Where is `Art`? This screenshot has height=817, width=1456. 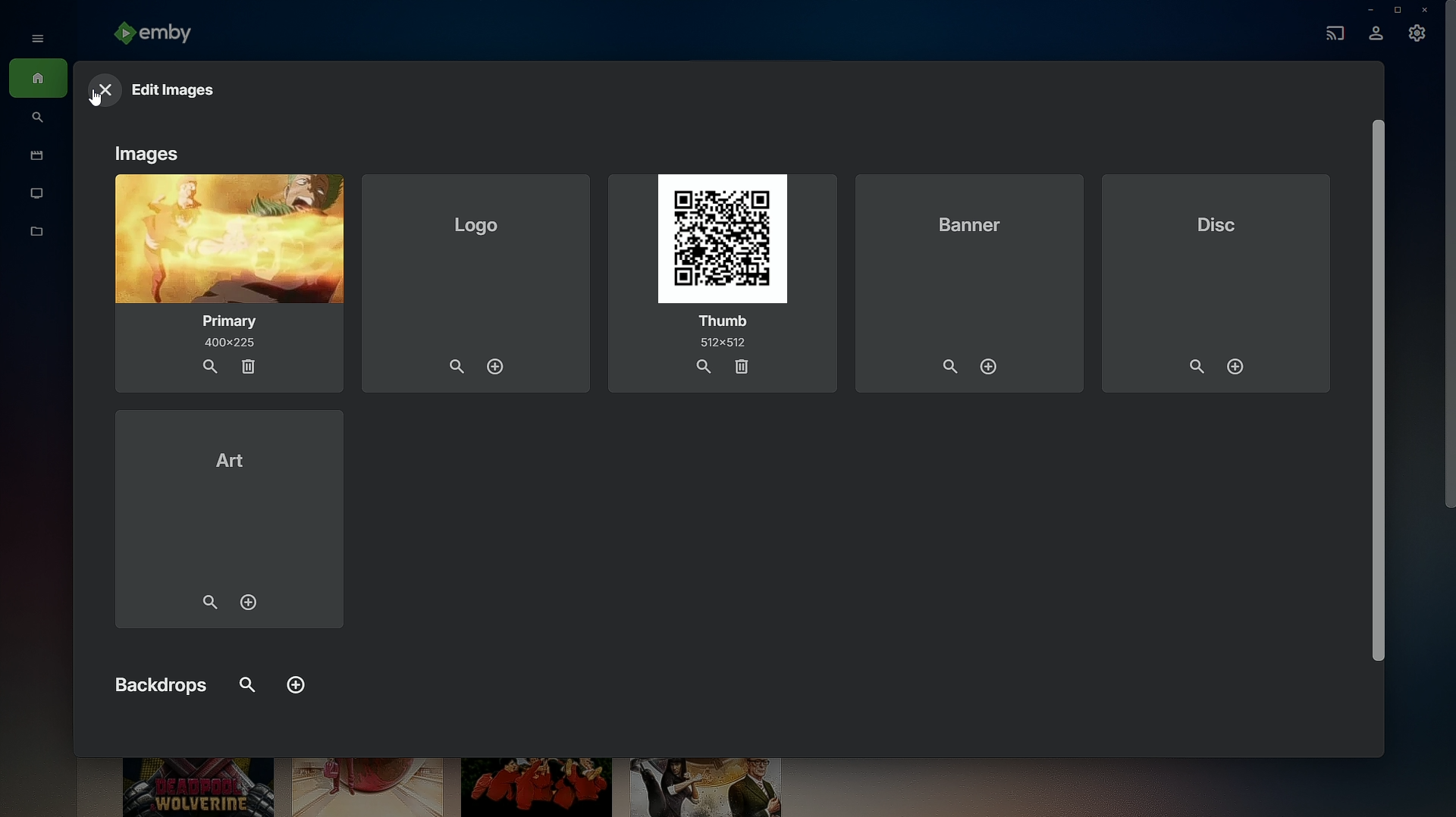
Art is located at coordinates (229, 522).